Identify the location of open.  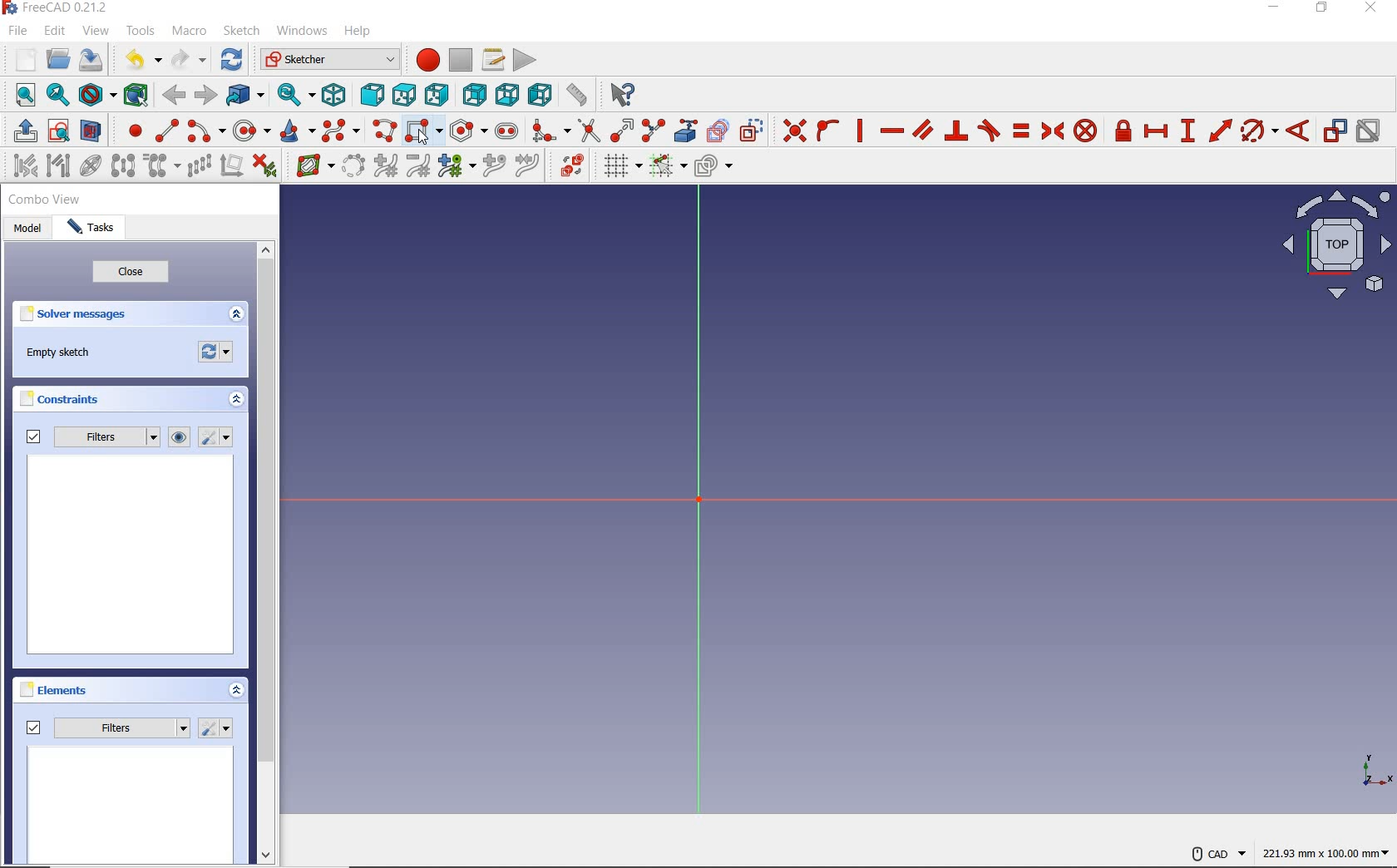
(57, 60).